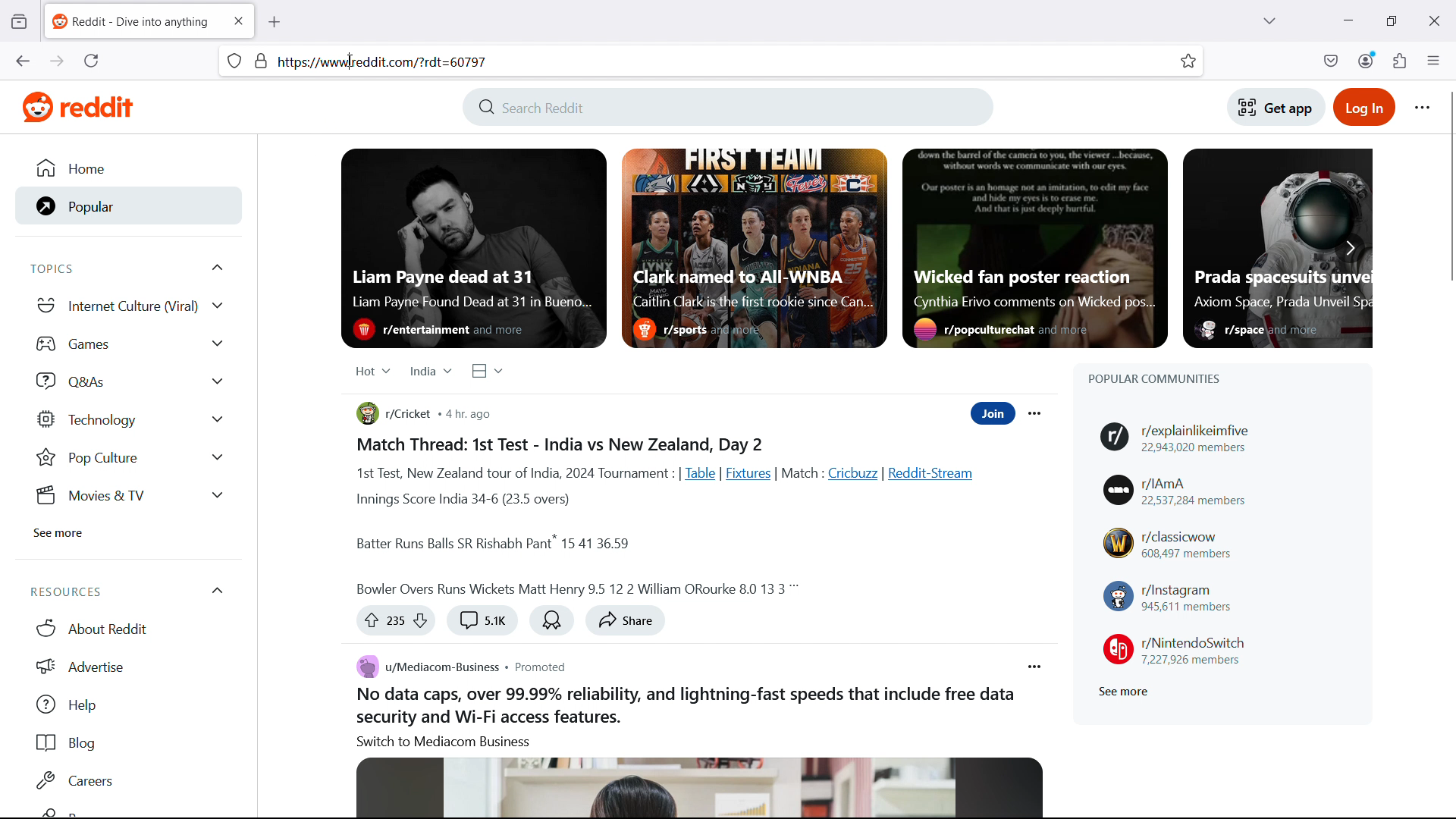  What do you see at coordinates (93, 61) in the screenshot?
I see `reload the current page` at bounding box center [93, 61].